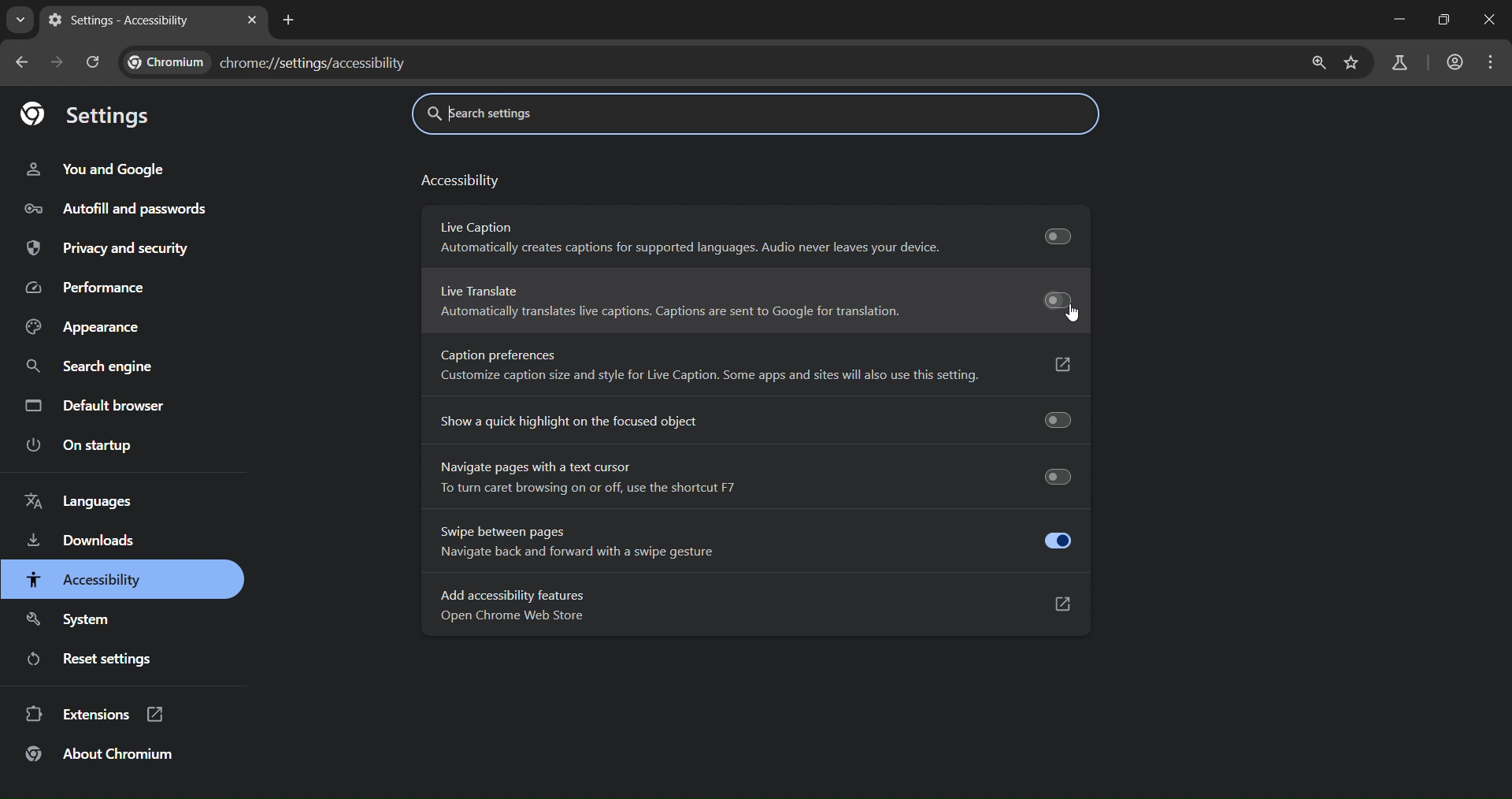 This screenshot has width=1512, height=799. Describe the element at coordinates (102, 754) in the screenshot. I see `about chromium` at that location.